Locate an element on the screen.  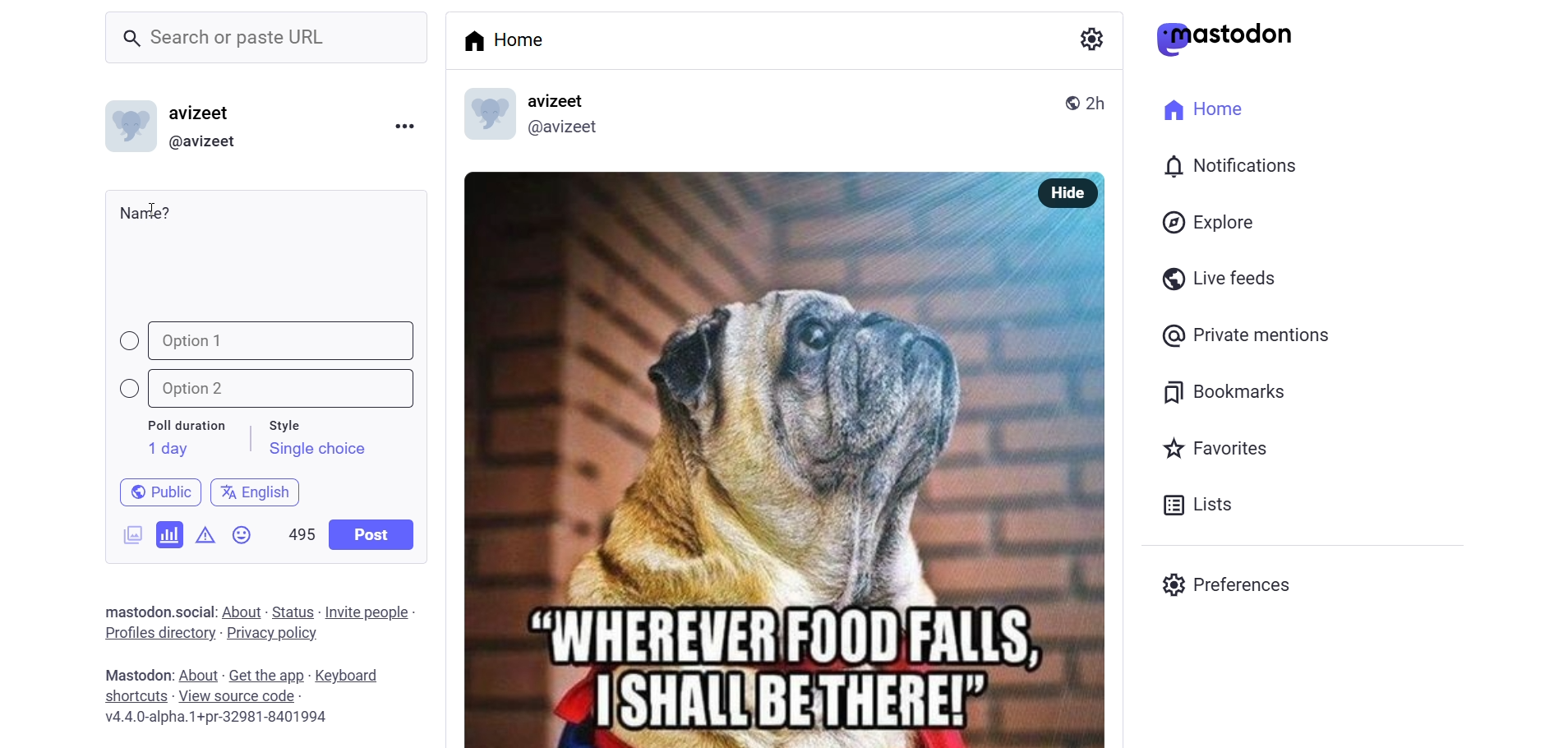
poll is located at coordinates (170, 533).